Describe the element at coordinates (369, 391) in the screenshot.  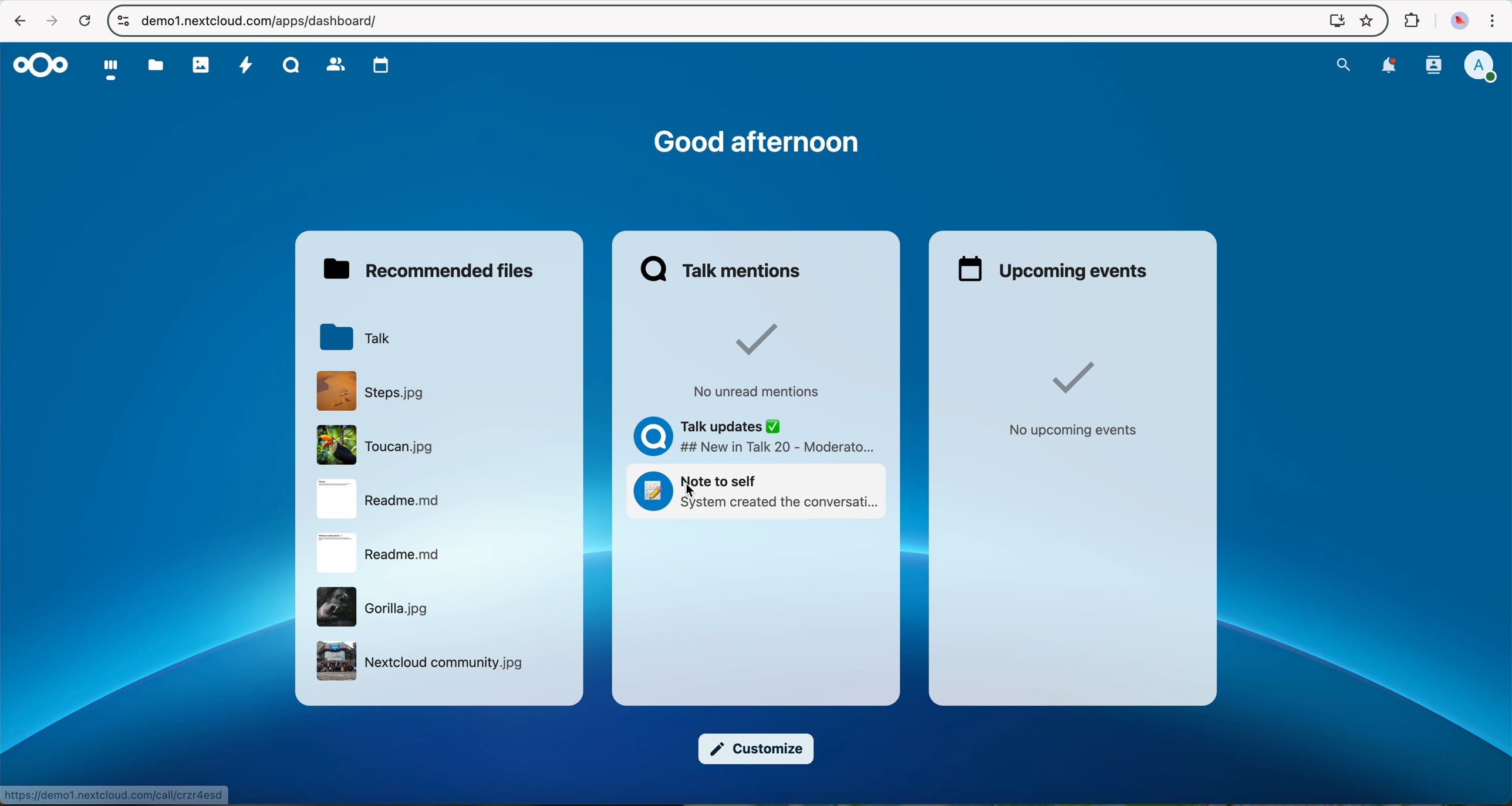
I see `file` at that location.